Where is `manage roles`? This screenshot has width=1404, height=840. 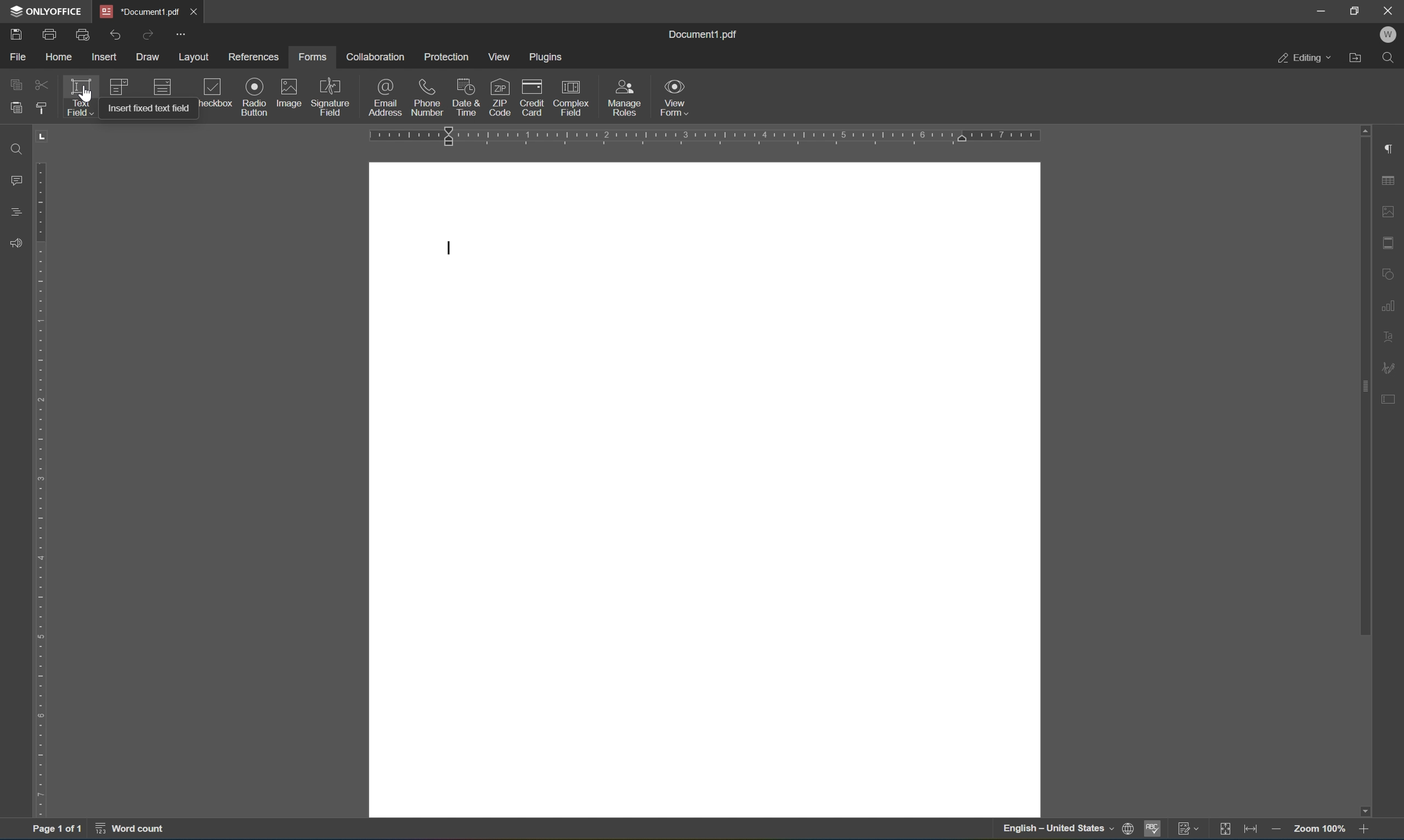
manage roles is located at coordinates (627, 98).